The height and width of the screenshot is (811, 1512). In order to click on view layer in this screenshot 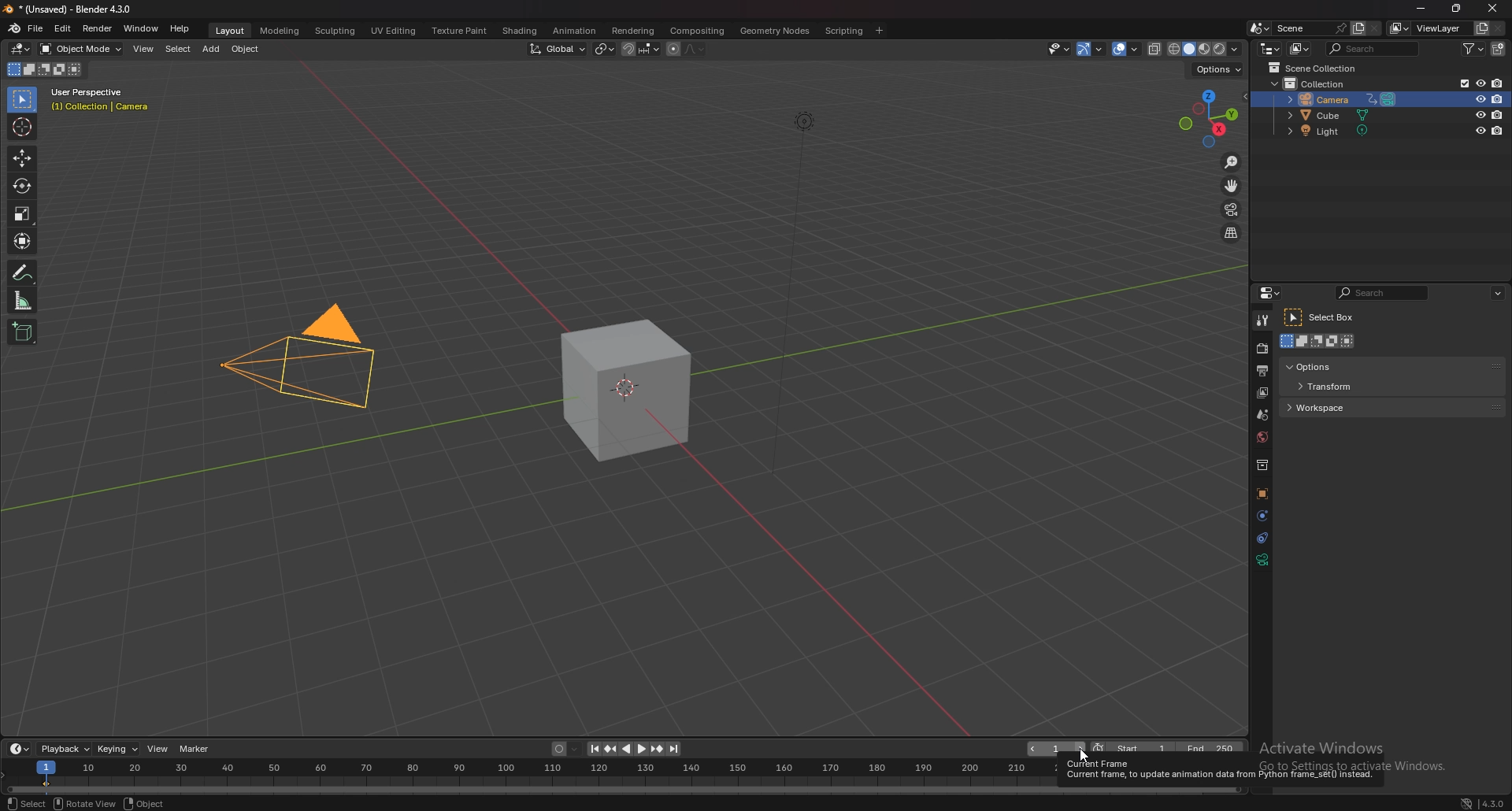, I will do `click(1429, 28)`.